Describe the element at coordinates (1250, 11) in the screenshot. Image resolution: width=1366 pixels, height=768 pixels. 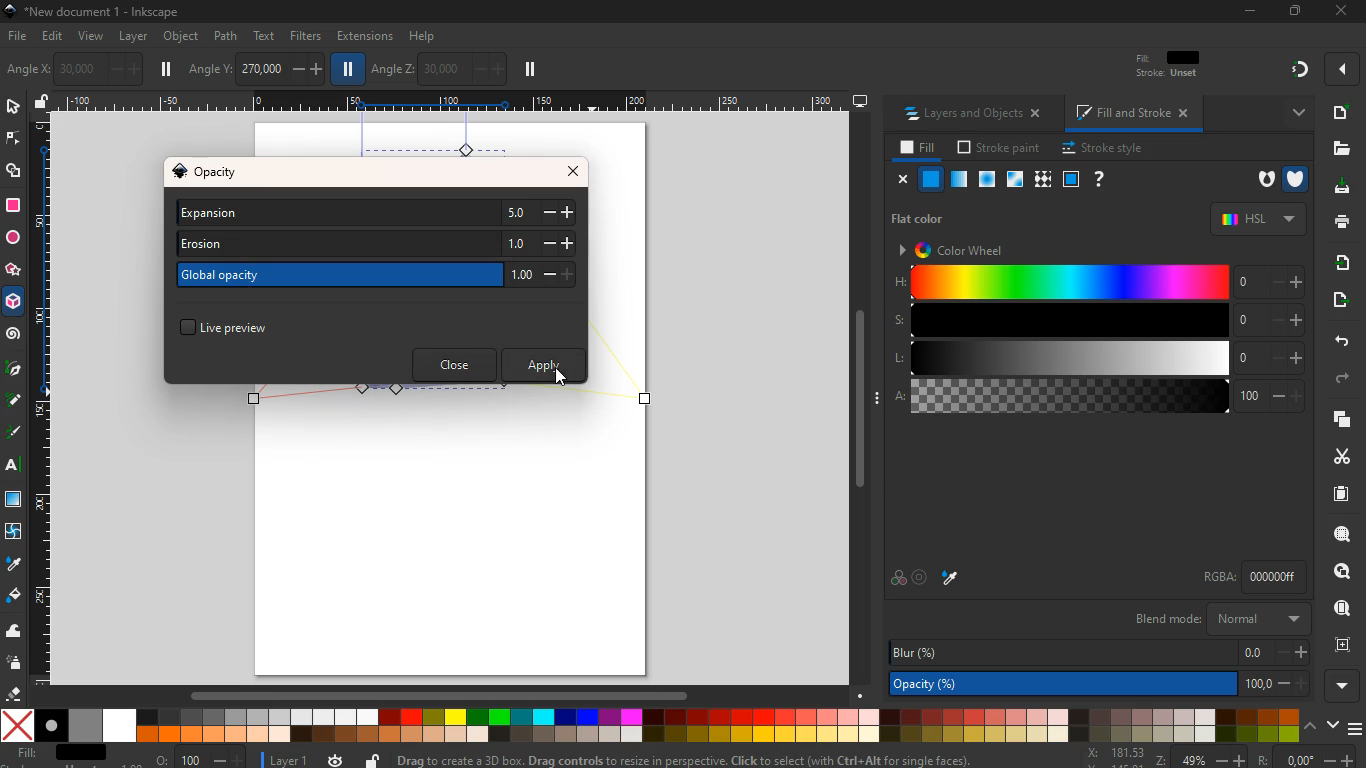
I see `minimize` at that location.